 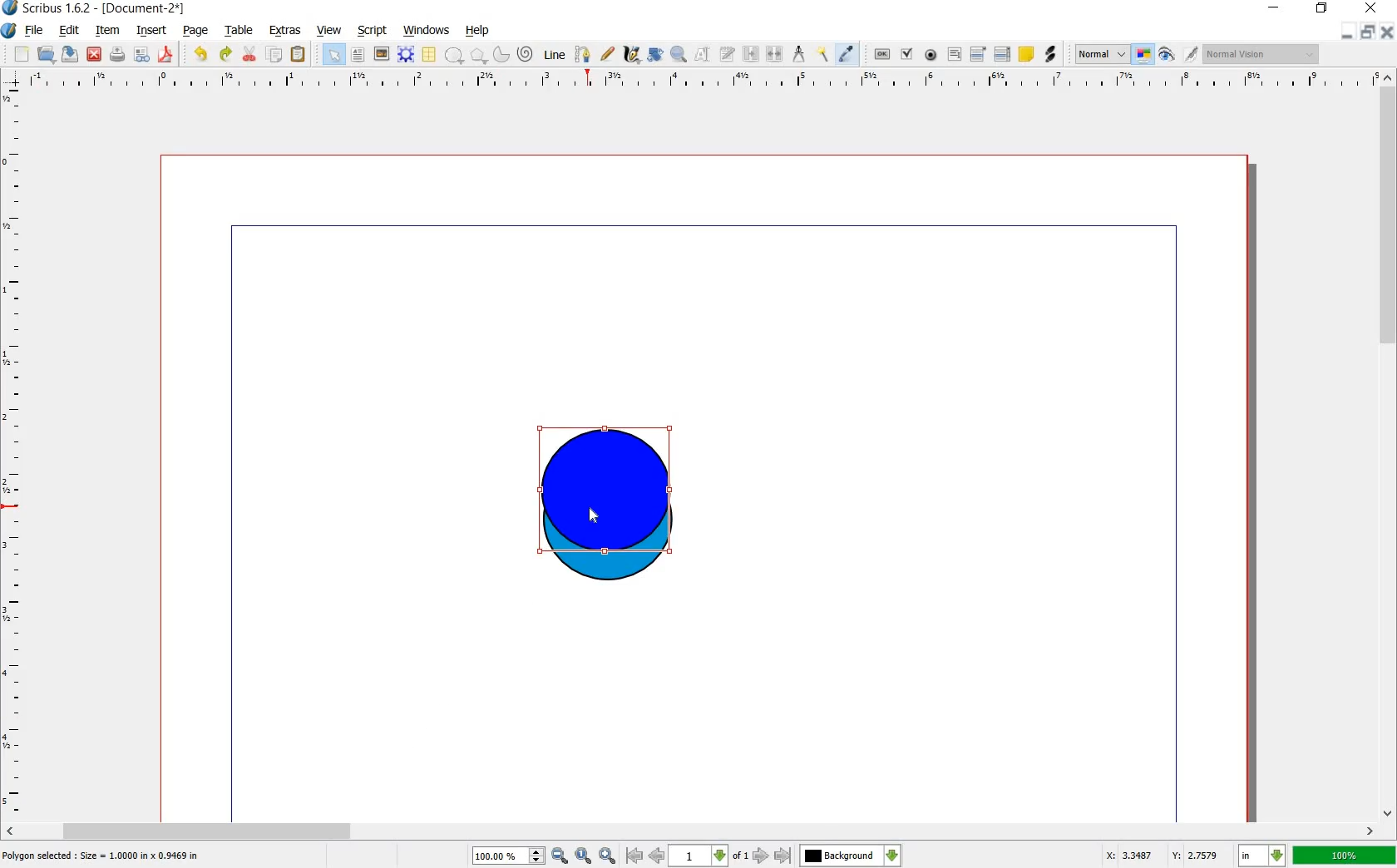 What do you see at coordinates (1163, 855) in the screenshot?
I see `X: 3.3487   Y: 2.7579` at bounding box center [1163, 855].